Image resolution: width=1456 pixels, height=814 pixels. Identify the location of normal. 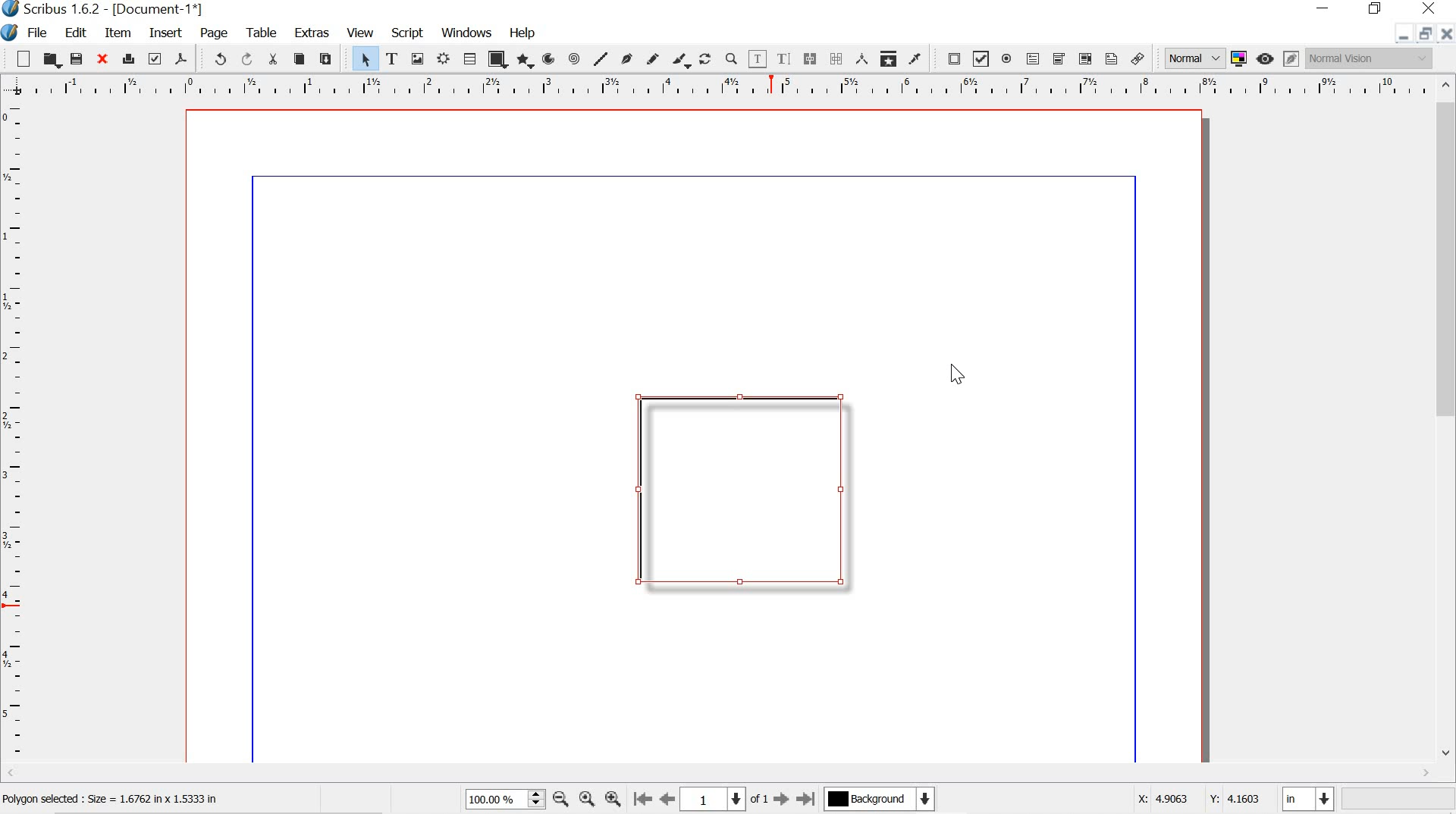
(1193, 56).